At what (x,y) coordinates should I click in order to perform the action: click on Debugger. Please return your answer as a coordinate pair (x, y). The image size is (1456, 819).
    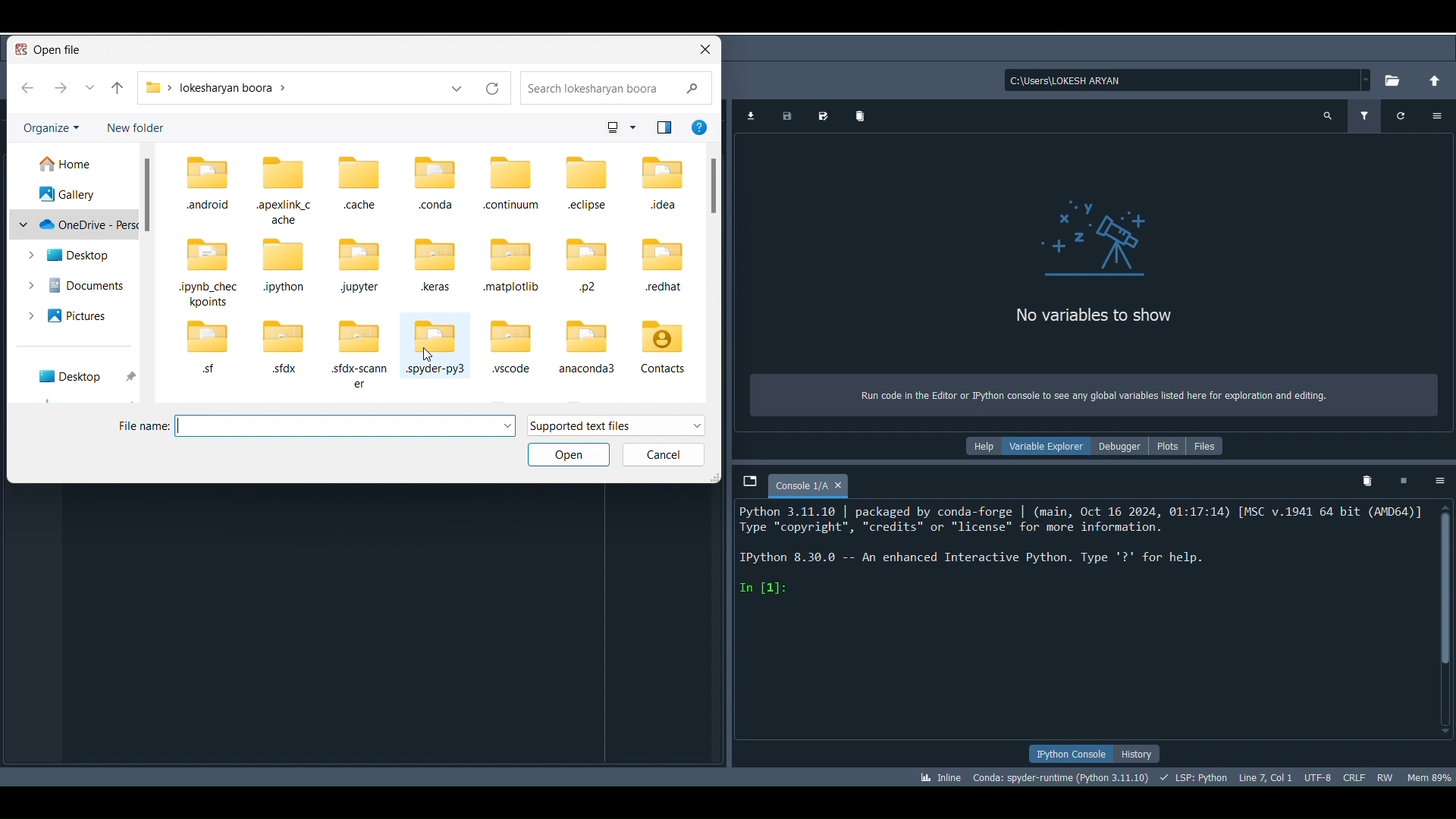
    Looking at the image, I should click on (1119, 447).